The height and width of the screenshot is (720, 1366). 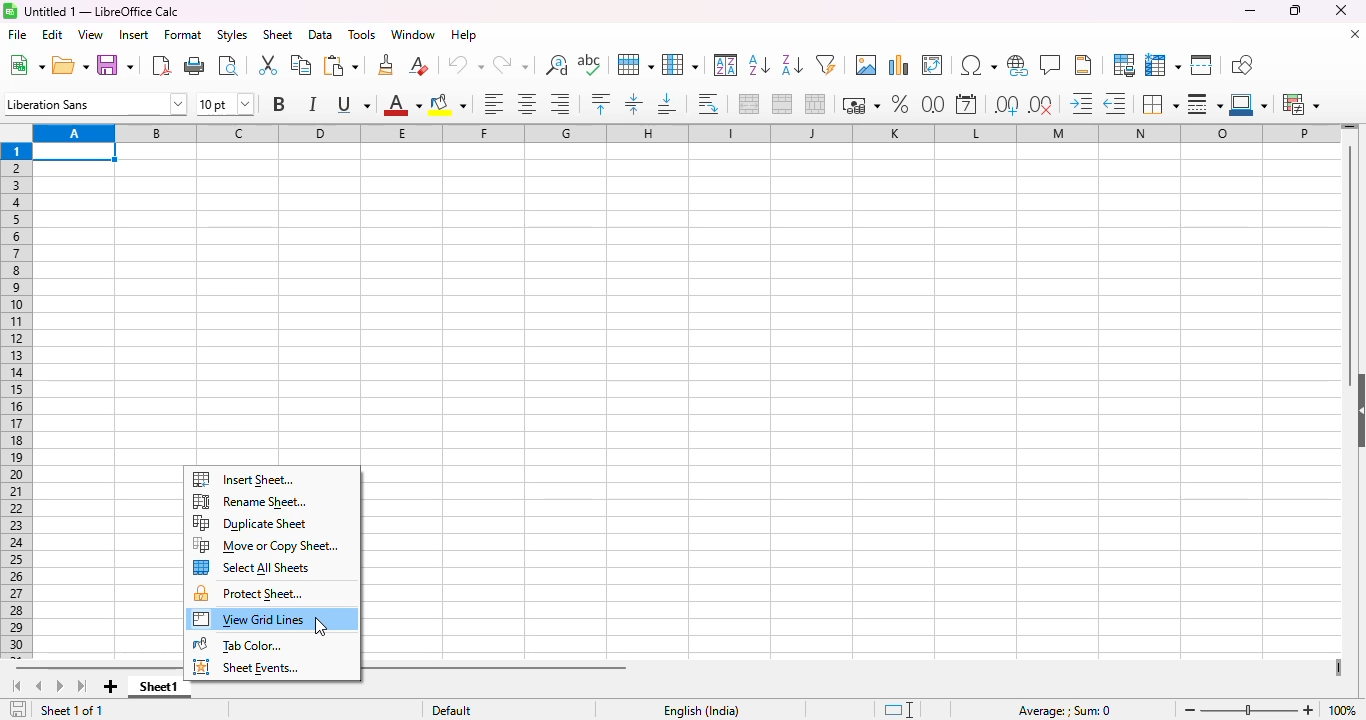 I want to click on new, so click(x=26, y=65).